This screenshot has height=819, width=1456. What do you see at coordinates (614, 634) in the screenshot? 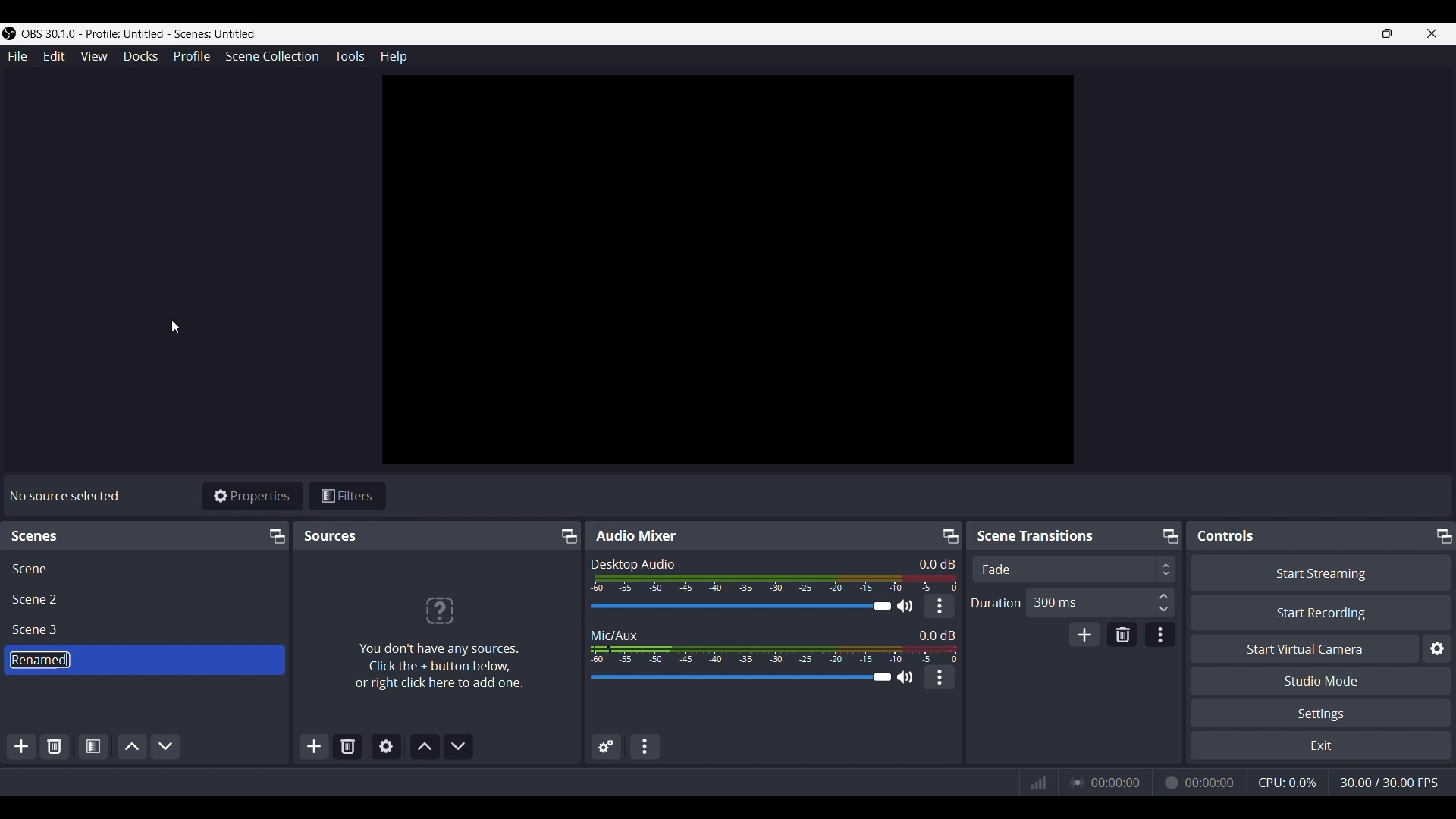
I see `Mic/Aux` at bounding box center [614, 634].